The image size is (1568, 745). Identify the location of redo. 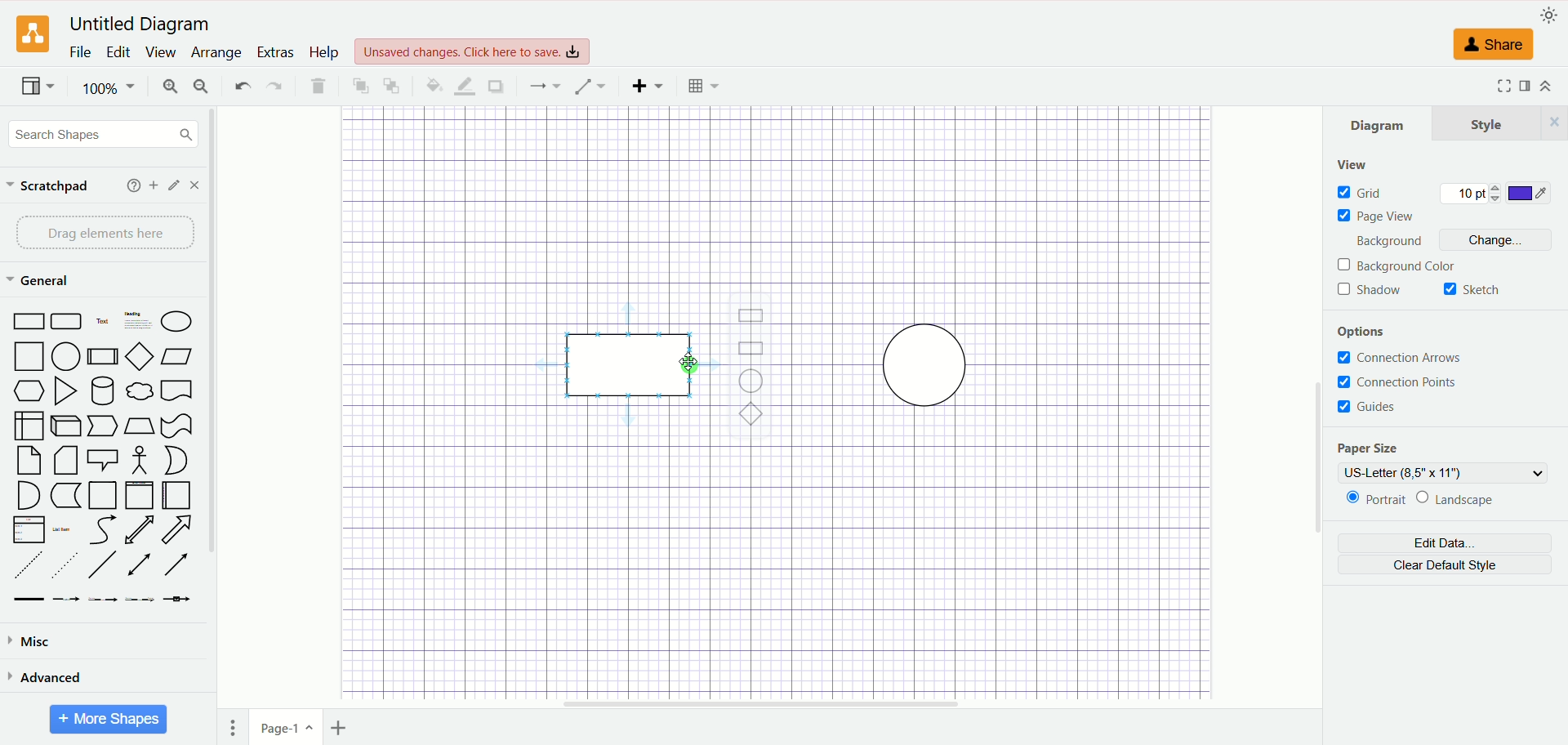
(274, 86).